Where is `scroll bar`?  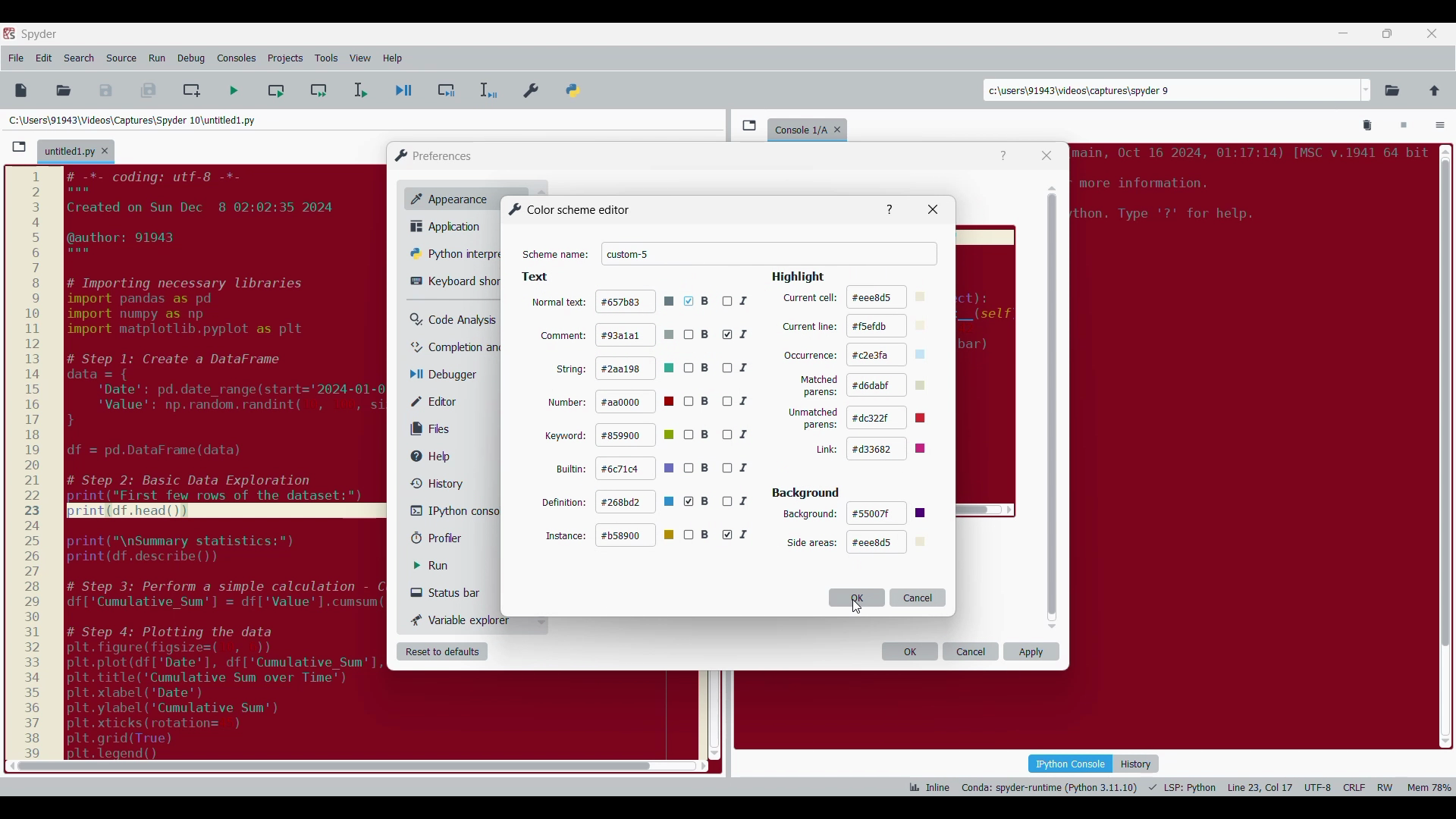 scroll bar is located at coordinates (1443, 442).